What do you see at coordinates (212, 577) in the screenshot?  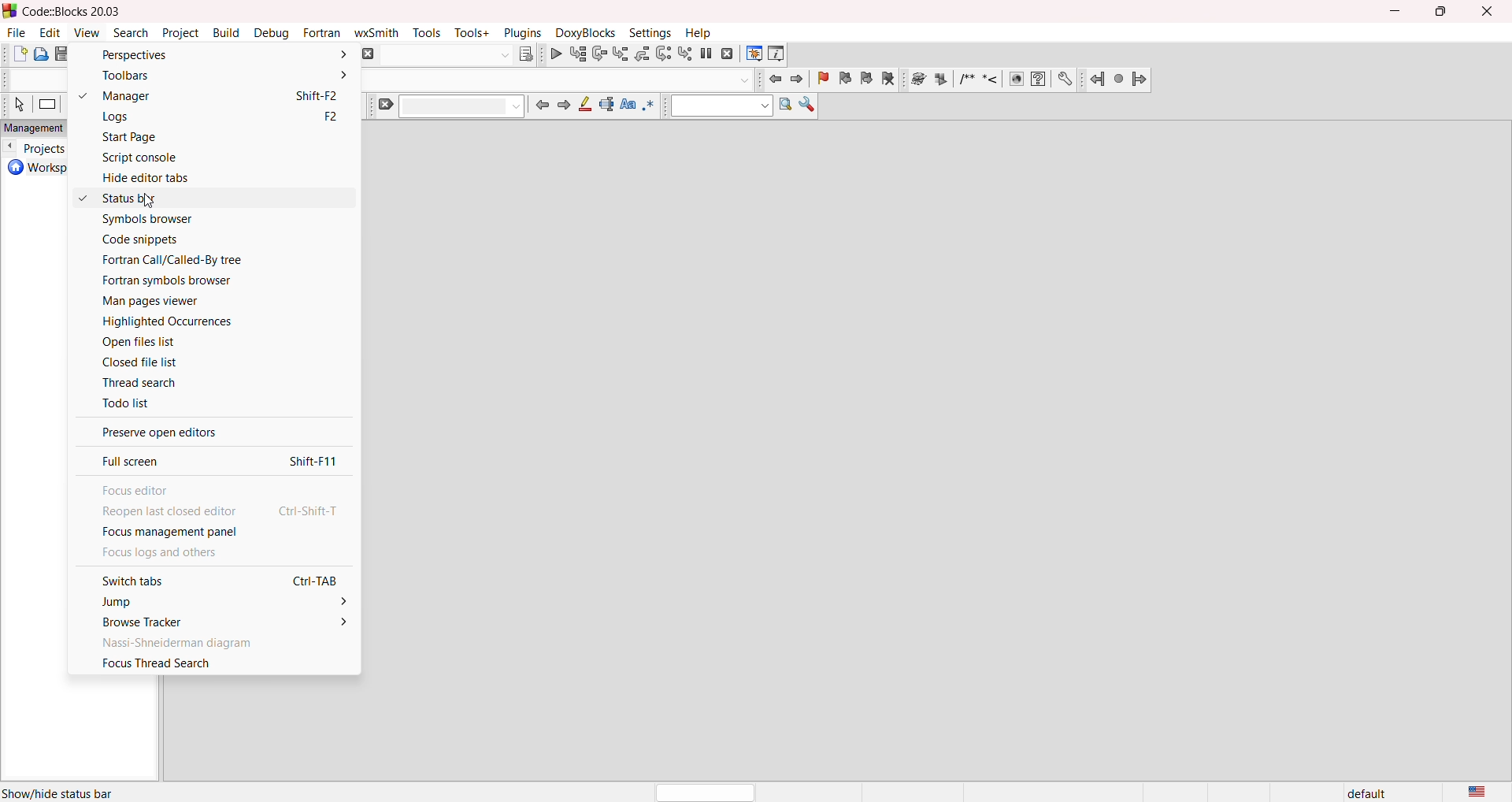 I see `switch tabs` at bounding box center [212, 577].